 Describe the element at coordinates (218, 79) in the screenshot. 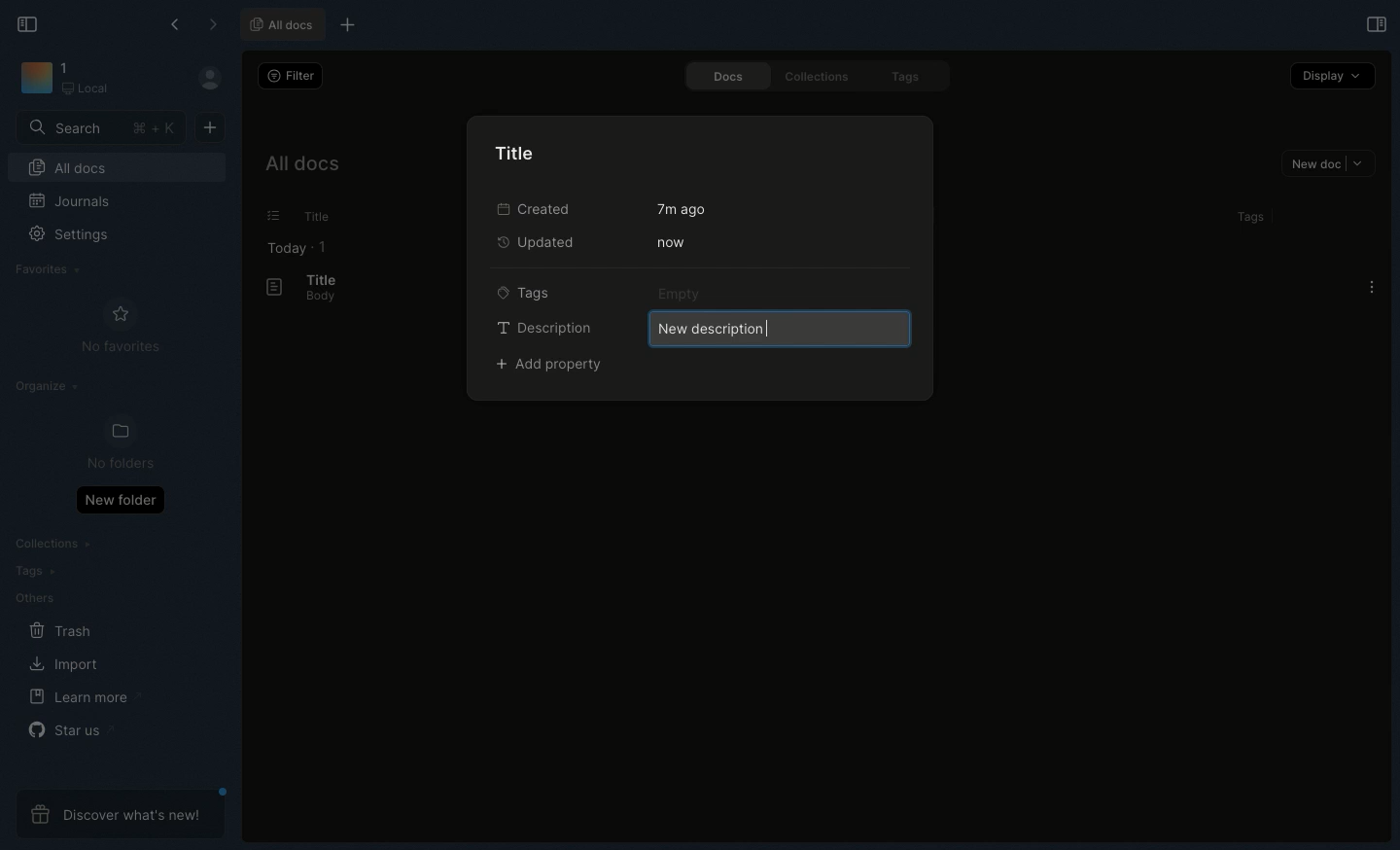

I see `User` at that location.